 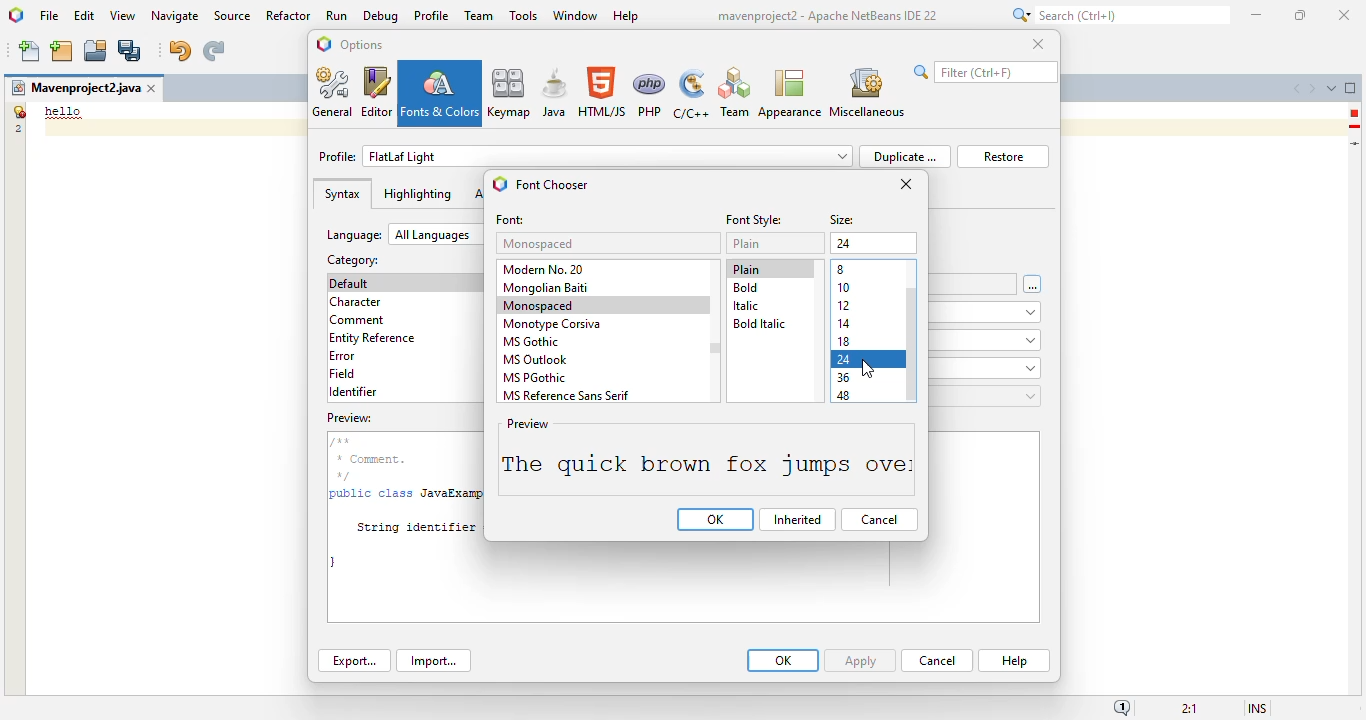 I want to click on MS outllook, so click(x=536, y=360).